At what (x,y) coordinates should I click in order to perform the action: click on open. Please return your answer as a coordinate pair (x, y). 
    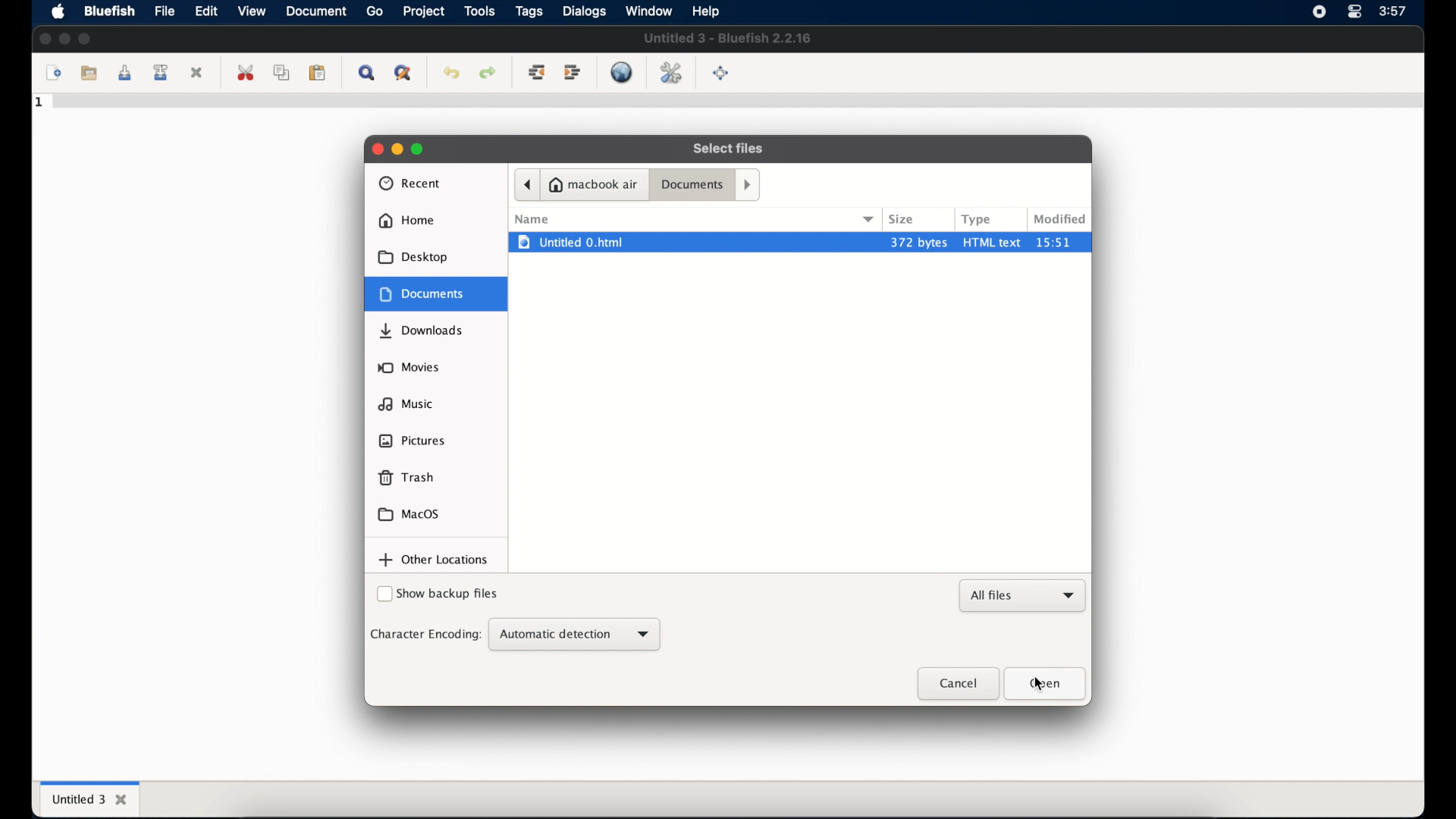
    Looking at the image, I should click on (1046, 683).